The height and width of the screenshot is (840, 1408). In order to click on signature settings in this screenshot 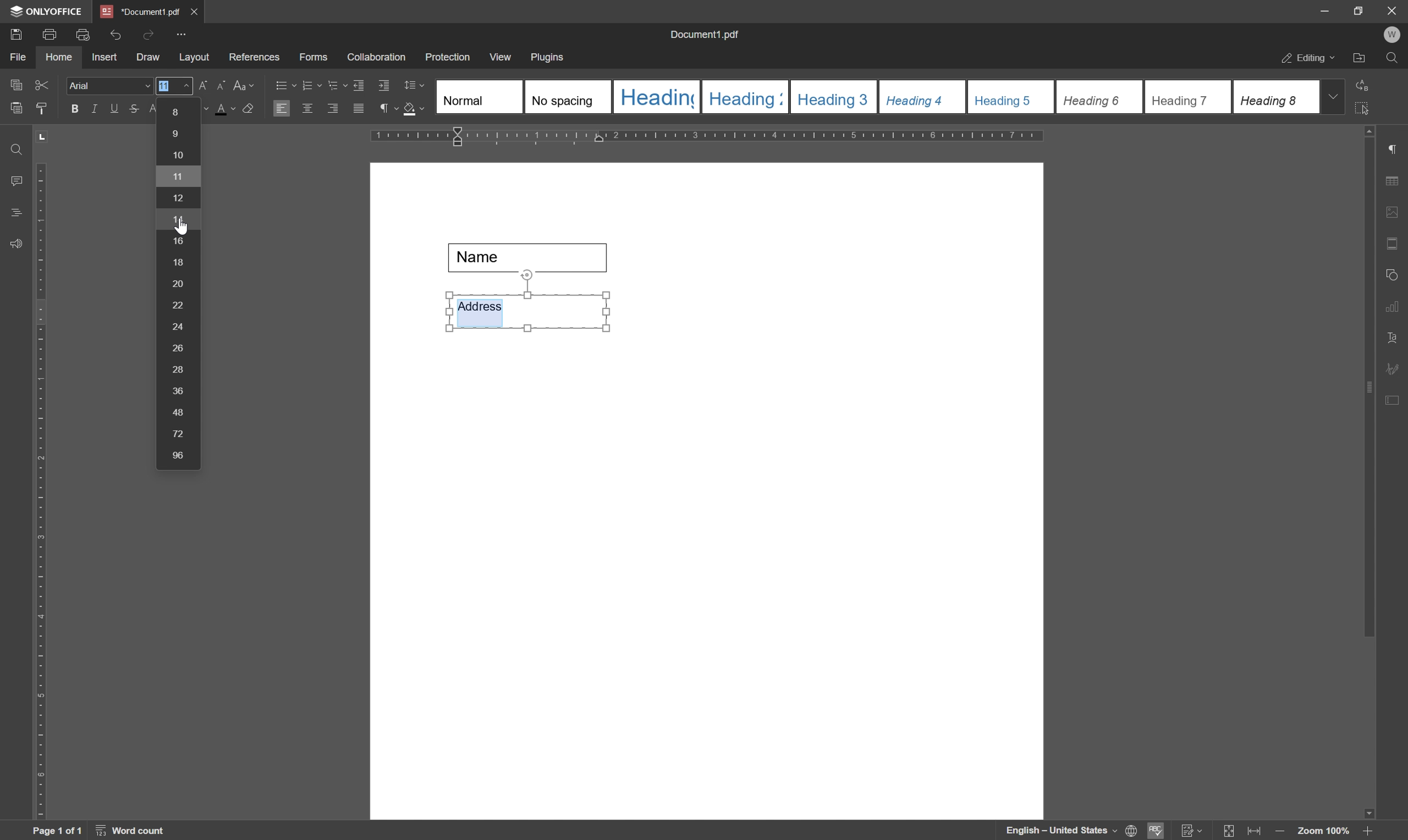, I will do `click(1396, 368)`.